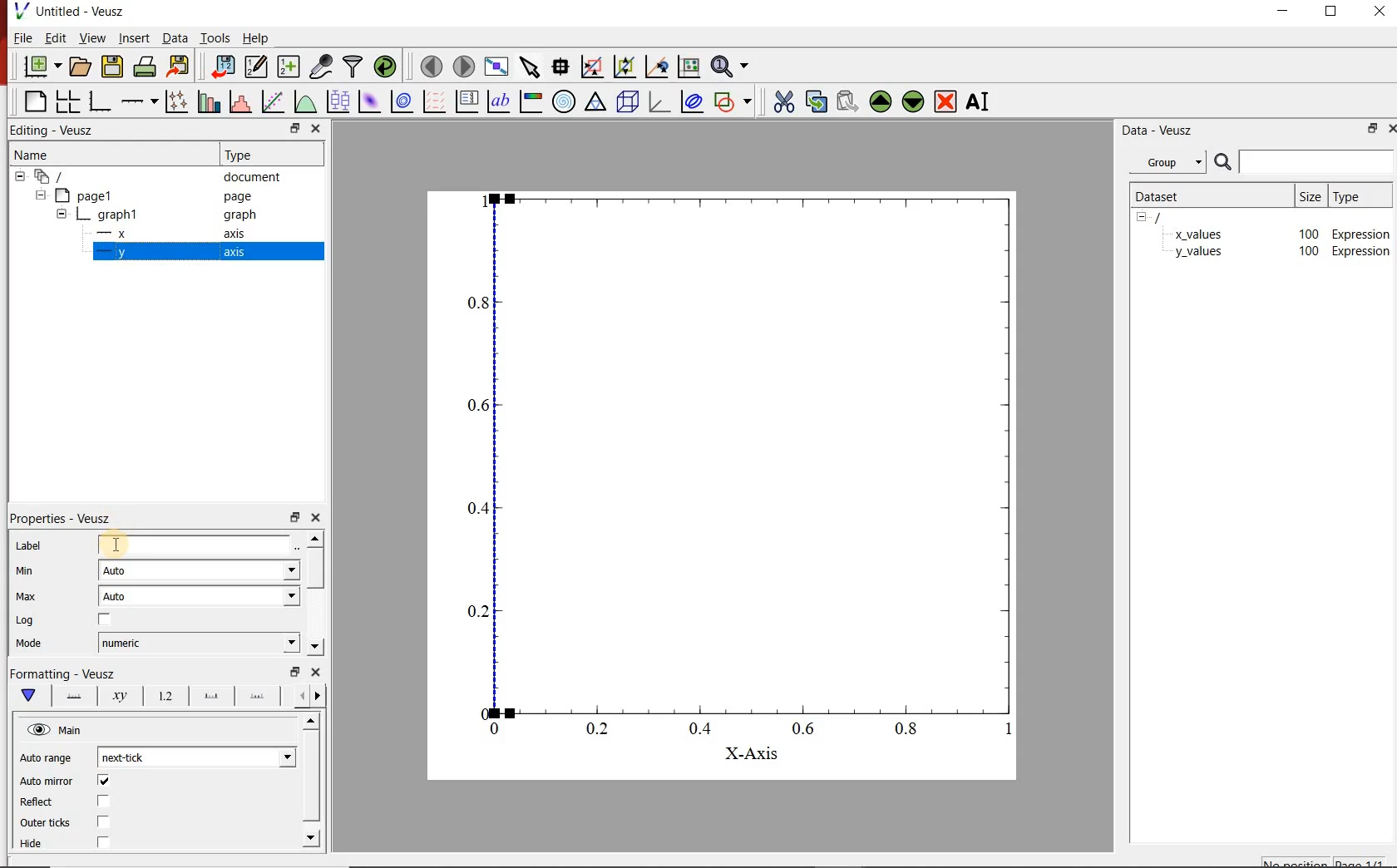 Image resolution: width=1397 pixels, height=868 pixels. Describe the element at coordinates (321, 697) in the screenshot. I see `previous options` at that location.